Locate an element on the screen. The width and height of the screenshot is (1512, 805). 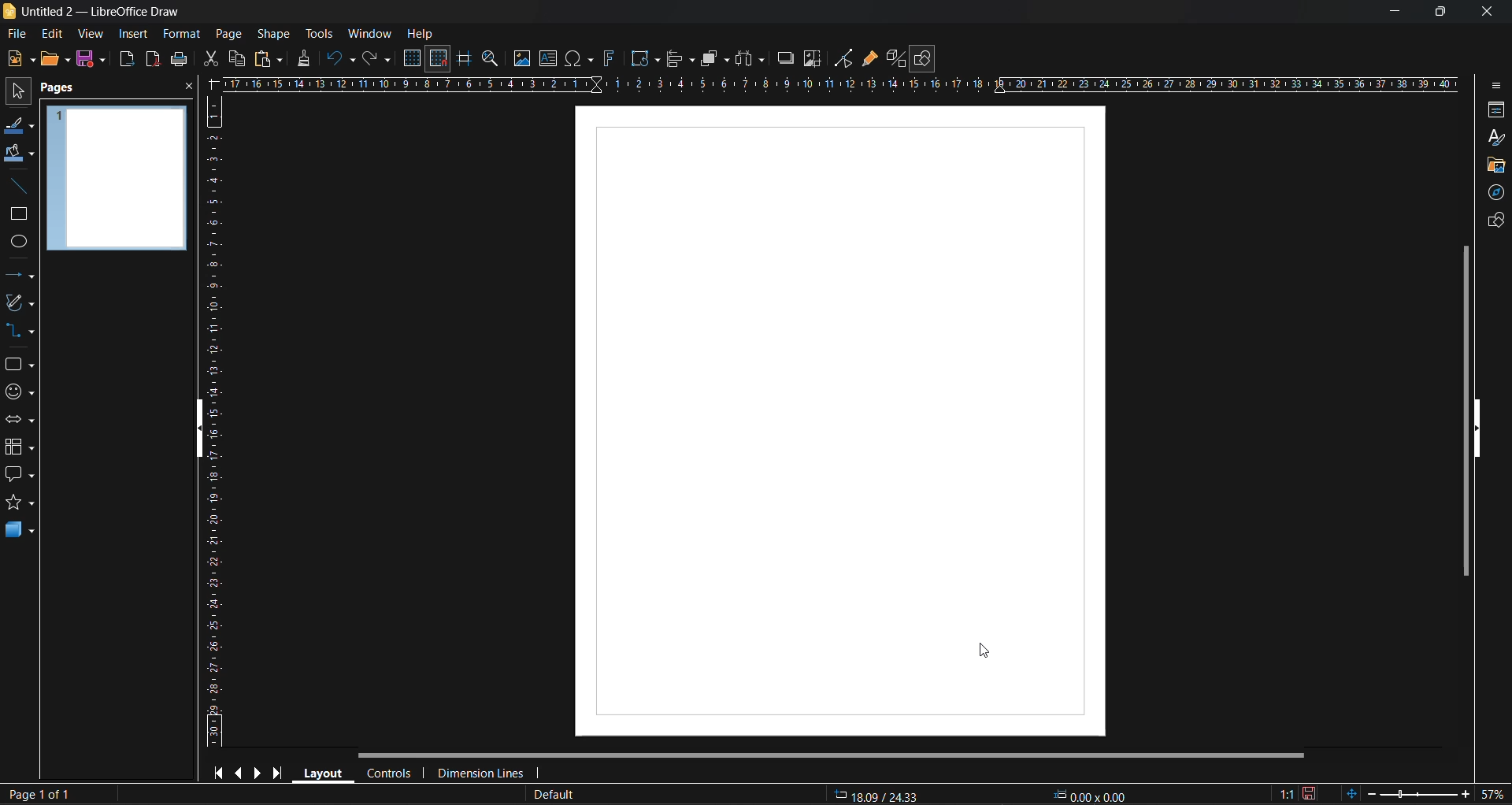
insert is located at coordinates (135, 32).